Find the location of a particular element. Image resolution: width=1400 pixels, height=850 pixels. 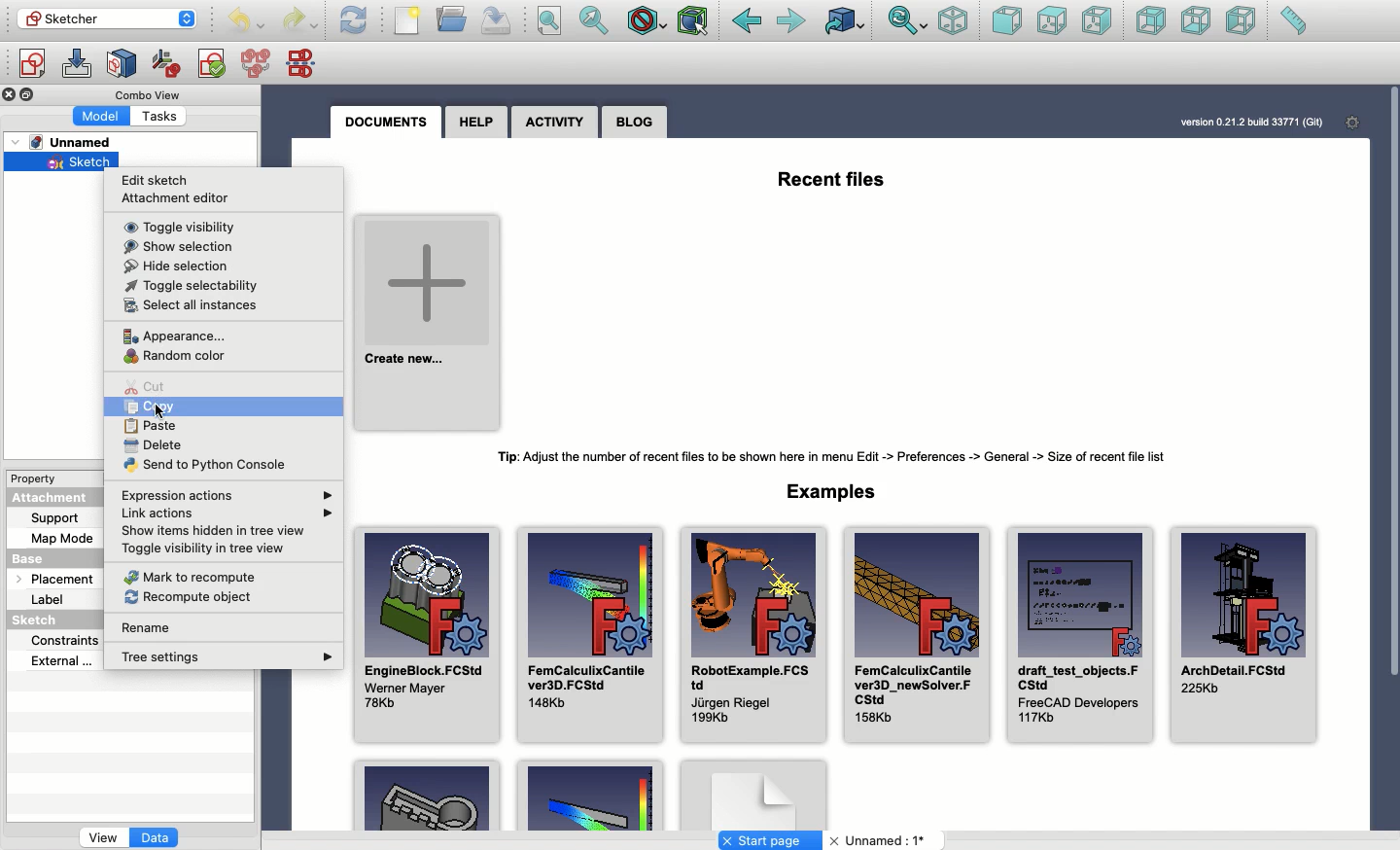

Placement is located at coordinates (51, 578).